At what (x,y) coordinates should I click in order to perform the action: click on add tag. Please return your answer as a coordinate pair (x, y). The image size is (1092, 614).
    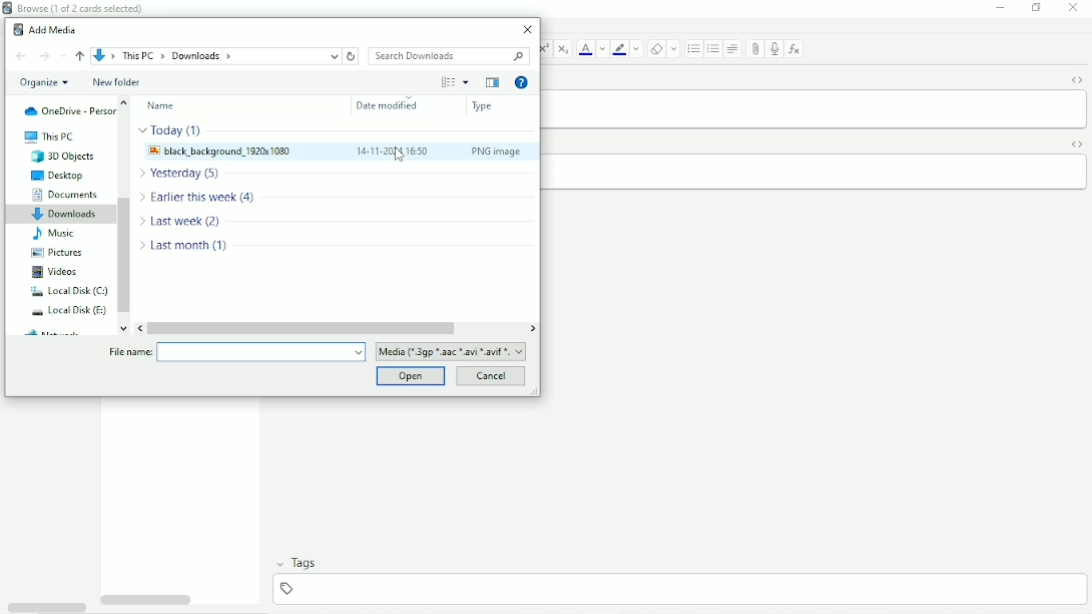
    Looking at the image, I should click on (676, 589).